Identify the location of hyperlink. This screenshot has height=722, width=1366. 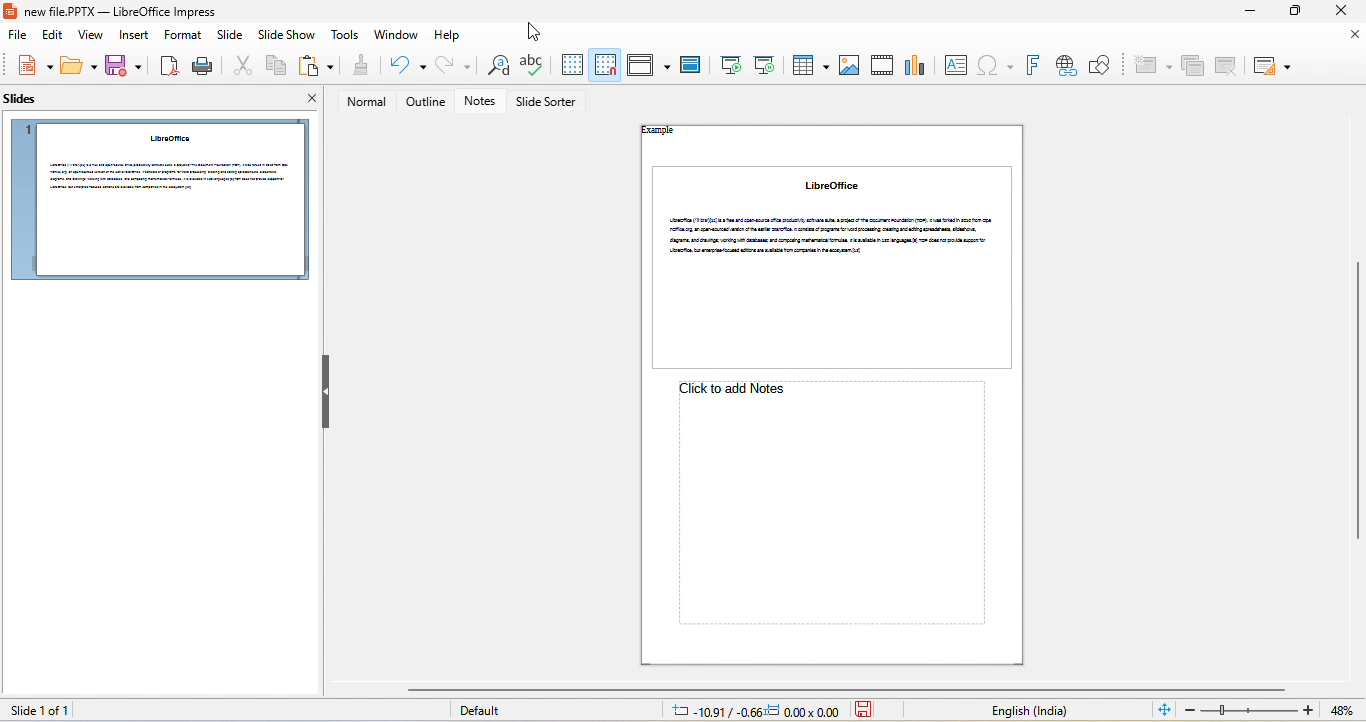
(1065, 66).